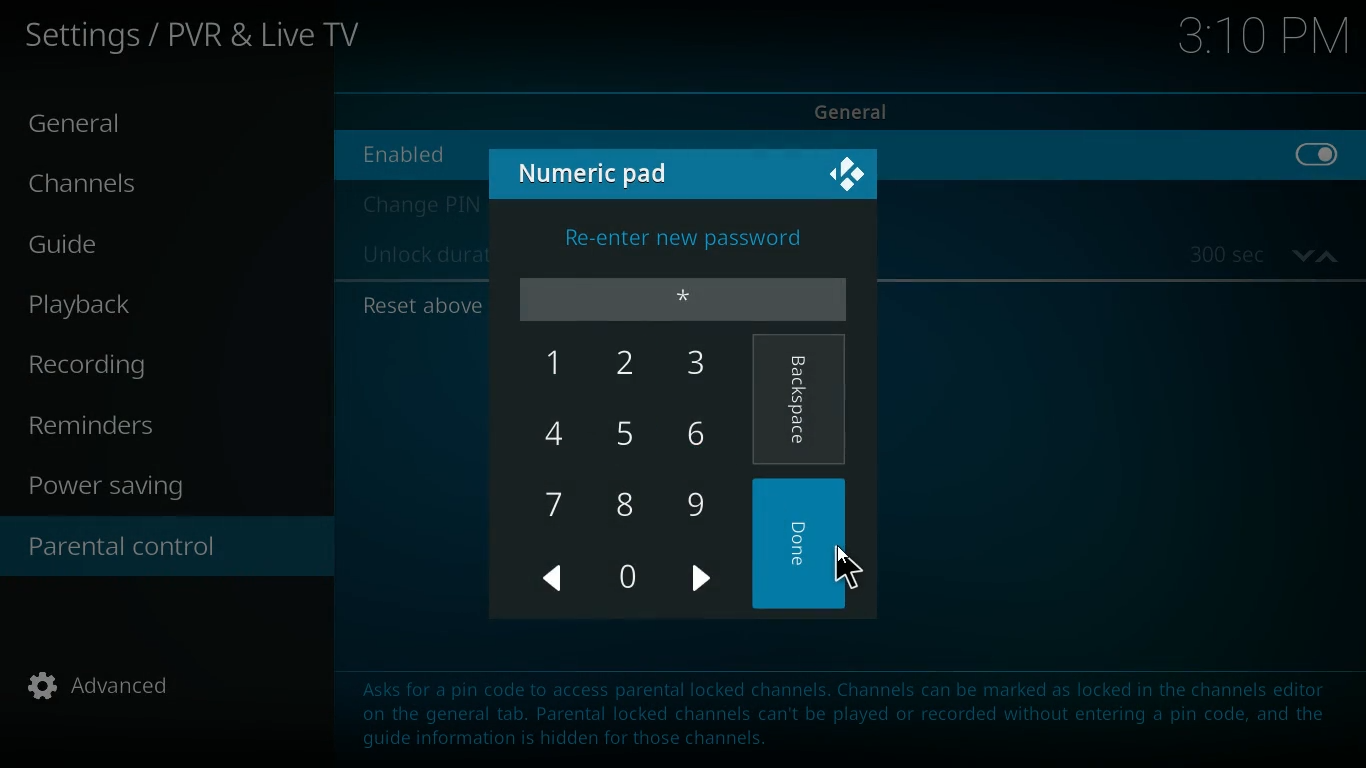 The image size is (1366, 768). I want to click on general , so click(94, 125).